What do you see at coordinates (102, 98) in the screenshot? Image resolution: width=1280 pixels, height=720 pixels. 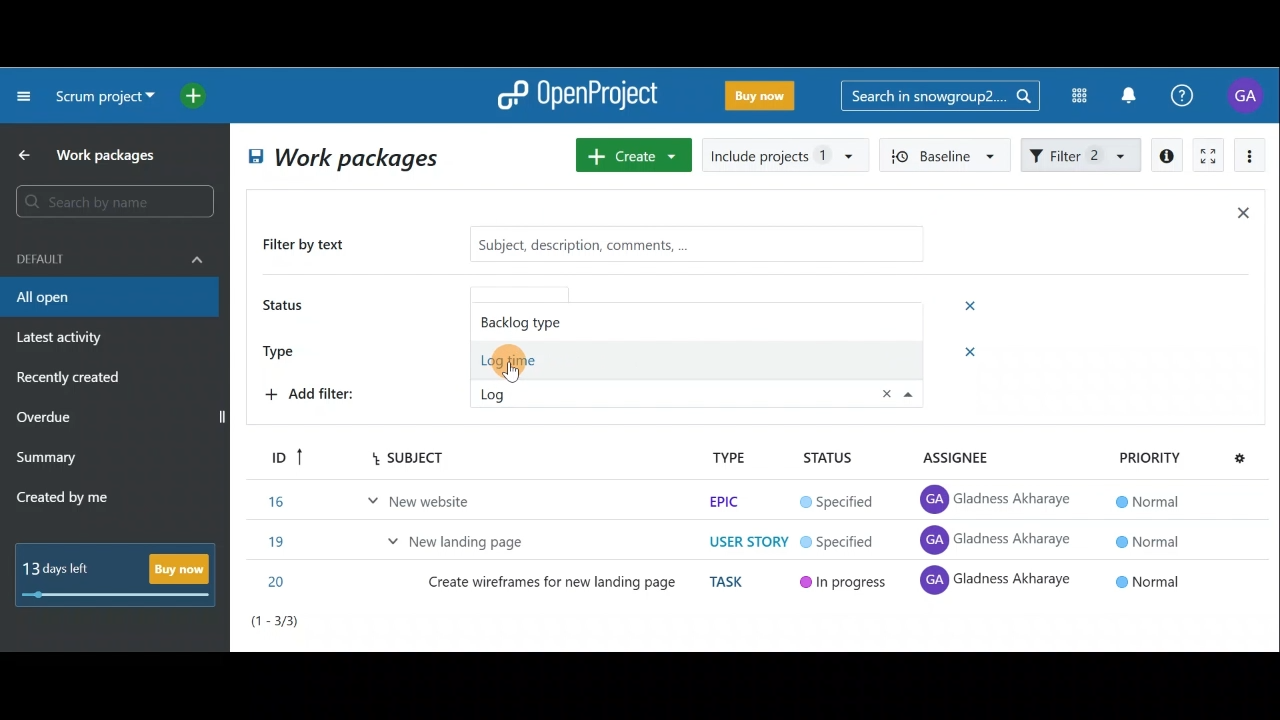 I see `Project name` at bounding box center [102, 98].